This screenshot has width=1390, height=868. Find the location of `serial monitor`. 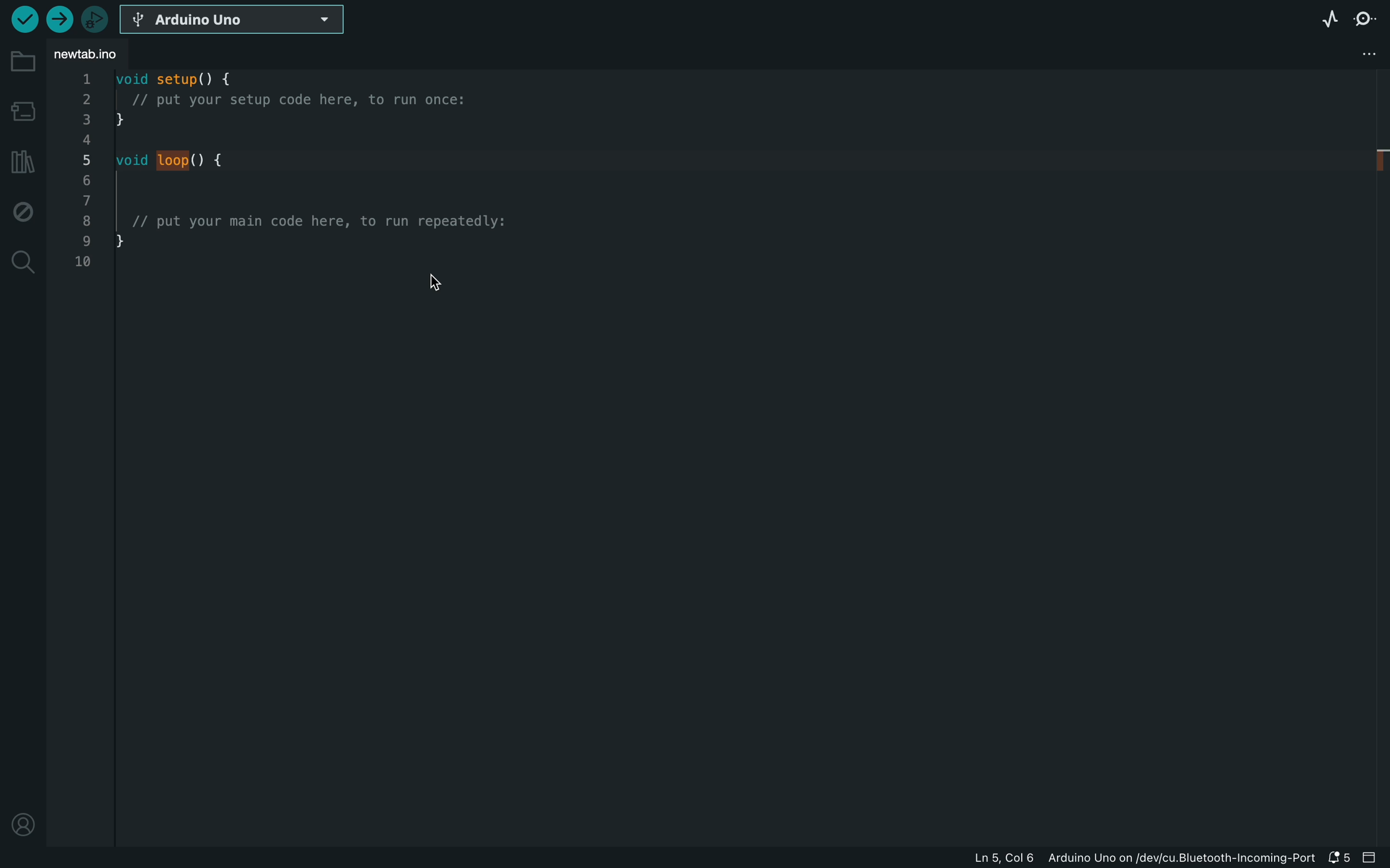

serial monitor is located at coordinates (1365, 23).